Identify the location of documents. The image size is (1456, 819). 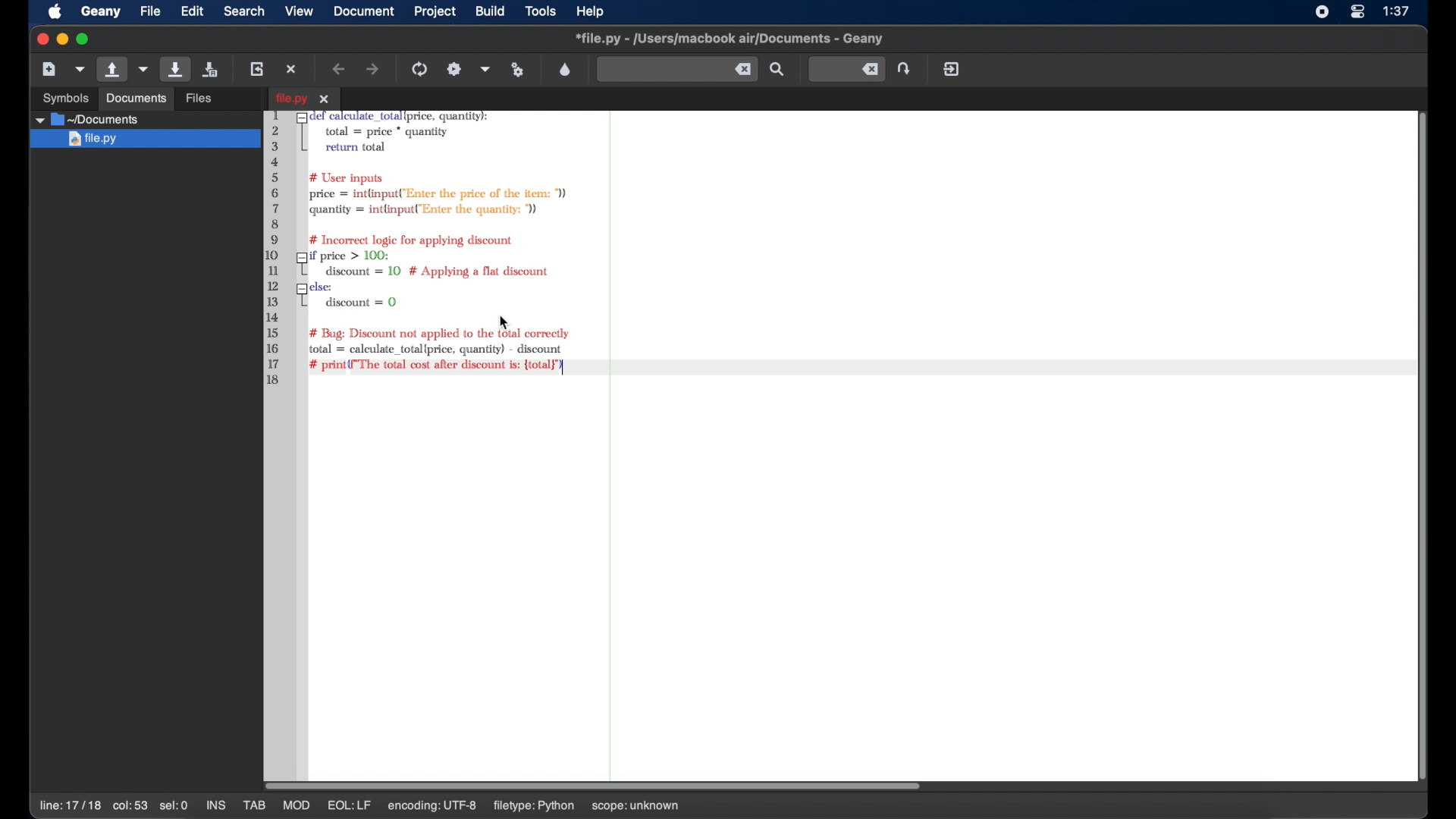
(135, 98).